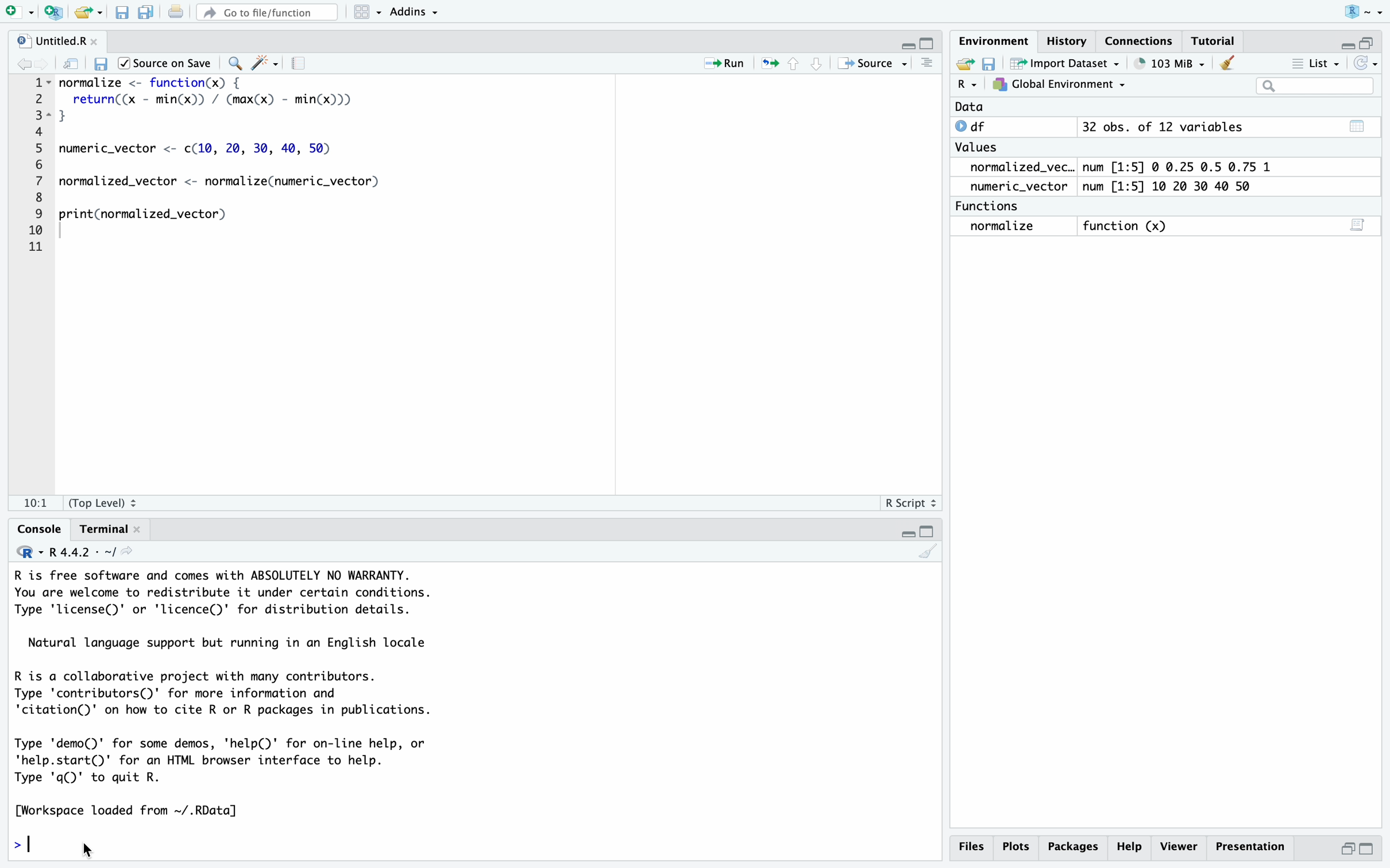  I want to click on Compile Report (Ctrl + Shift + K), so click(302, 62).